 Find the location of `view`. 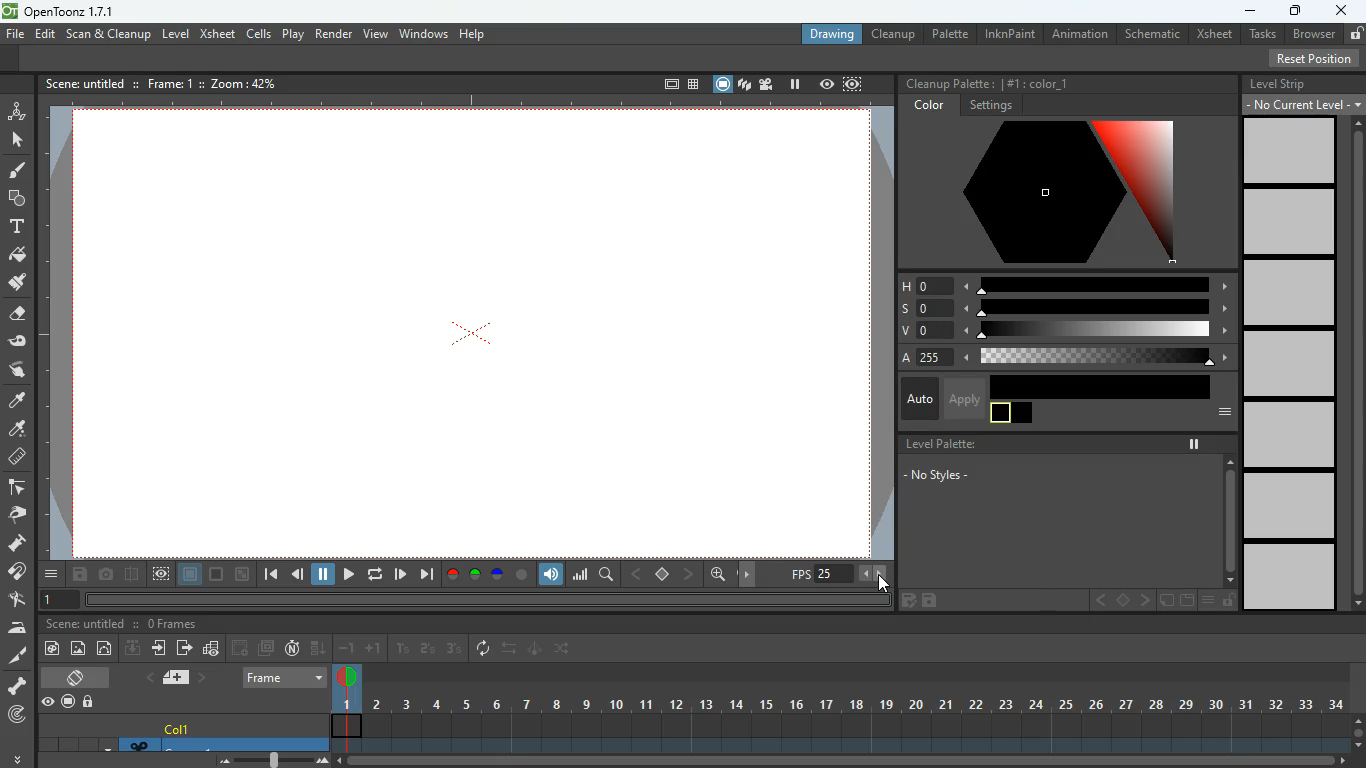

view is located at coordinates (825, 83).